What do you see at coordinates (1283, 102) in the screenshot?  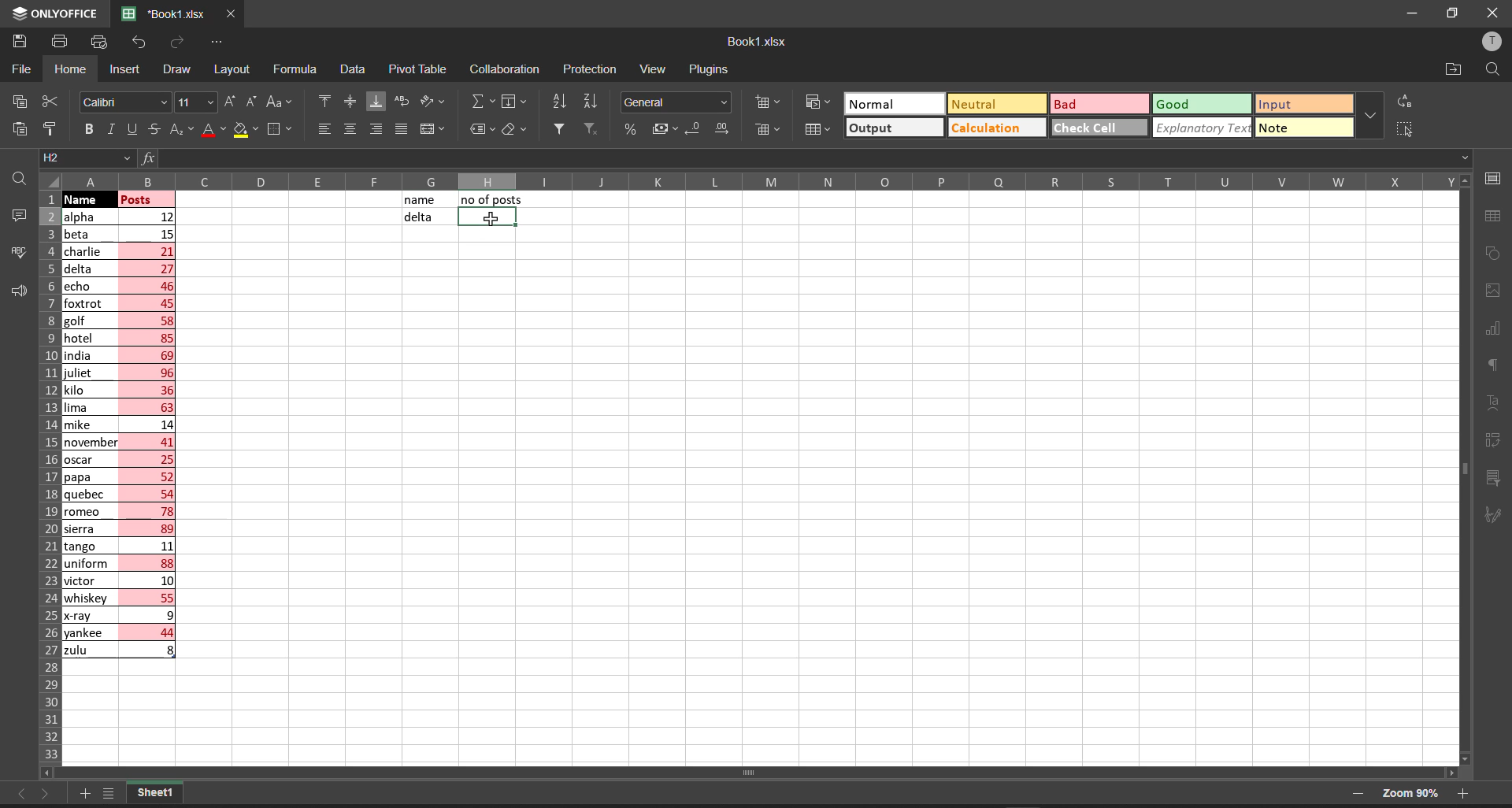 I see `input` at bounding box center [1283, 102].